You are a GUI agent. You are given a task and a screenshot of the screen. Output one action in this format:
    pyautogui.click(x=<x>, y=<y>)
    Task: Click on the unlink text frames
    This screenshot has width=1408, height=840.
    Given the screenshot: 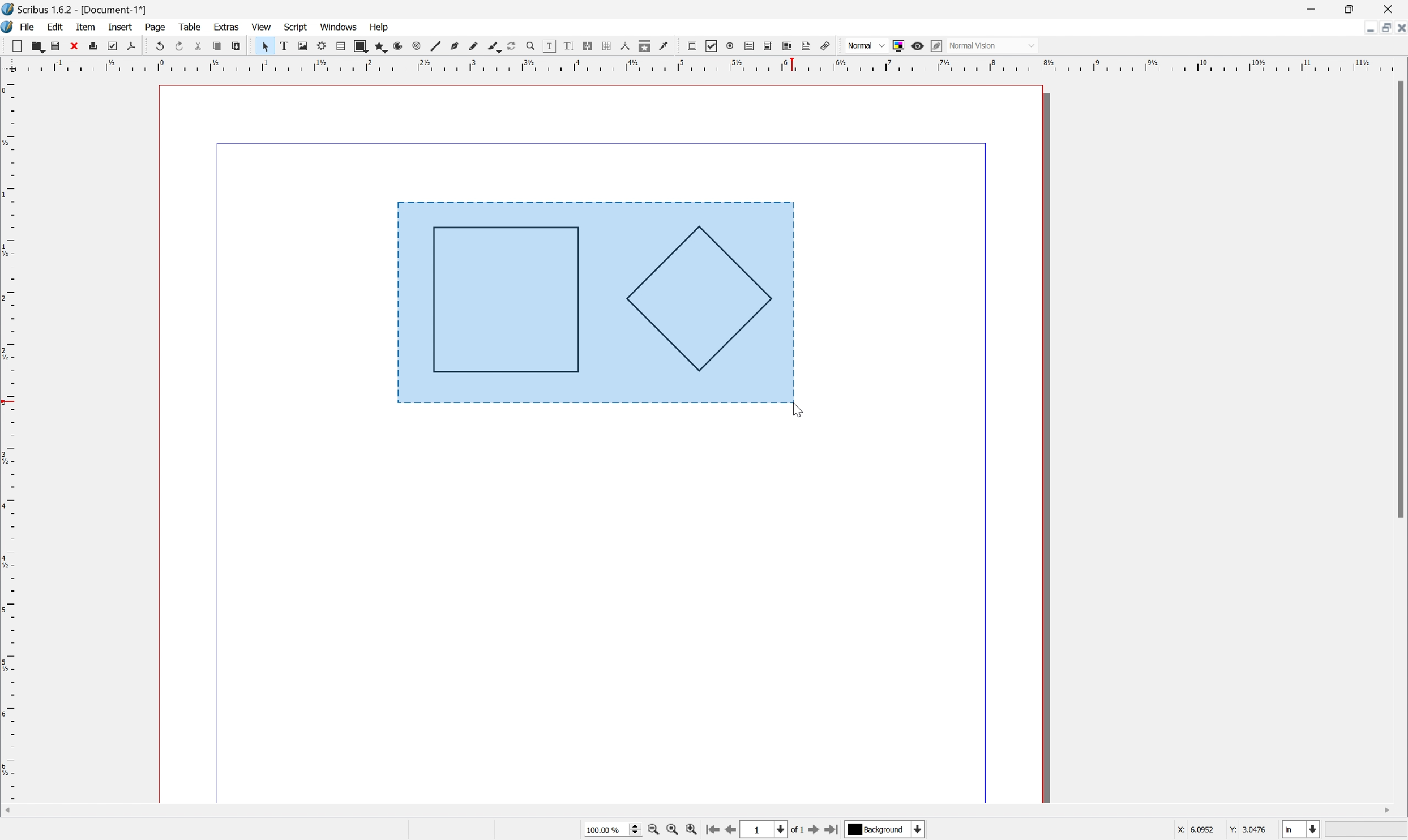 What is the action you would take?
    pyautogui.click(x=605, y=46)
    